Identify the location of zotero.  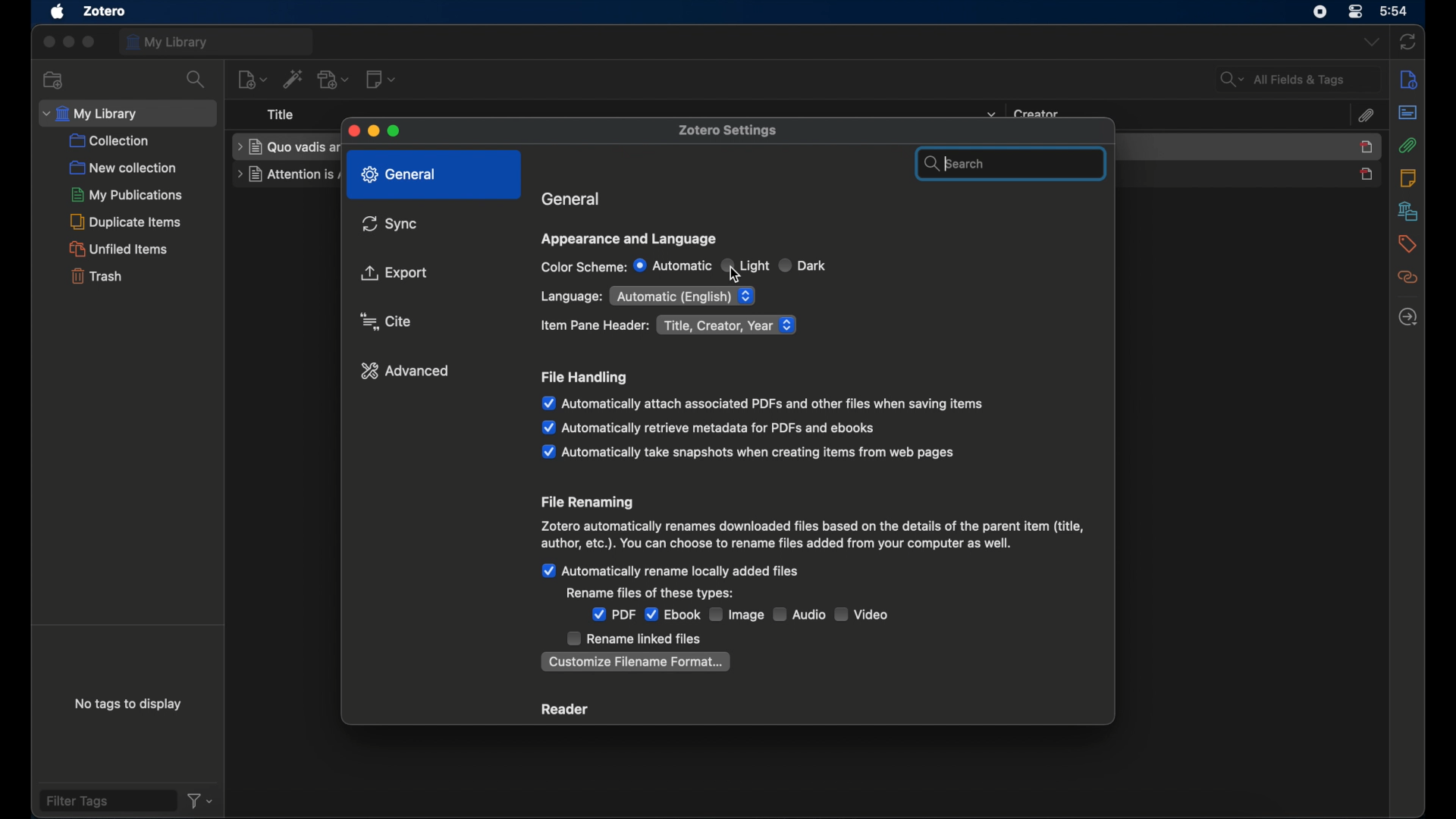
(105, 11).